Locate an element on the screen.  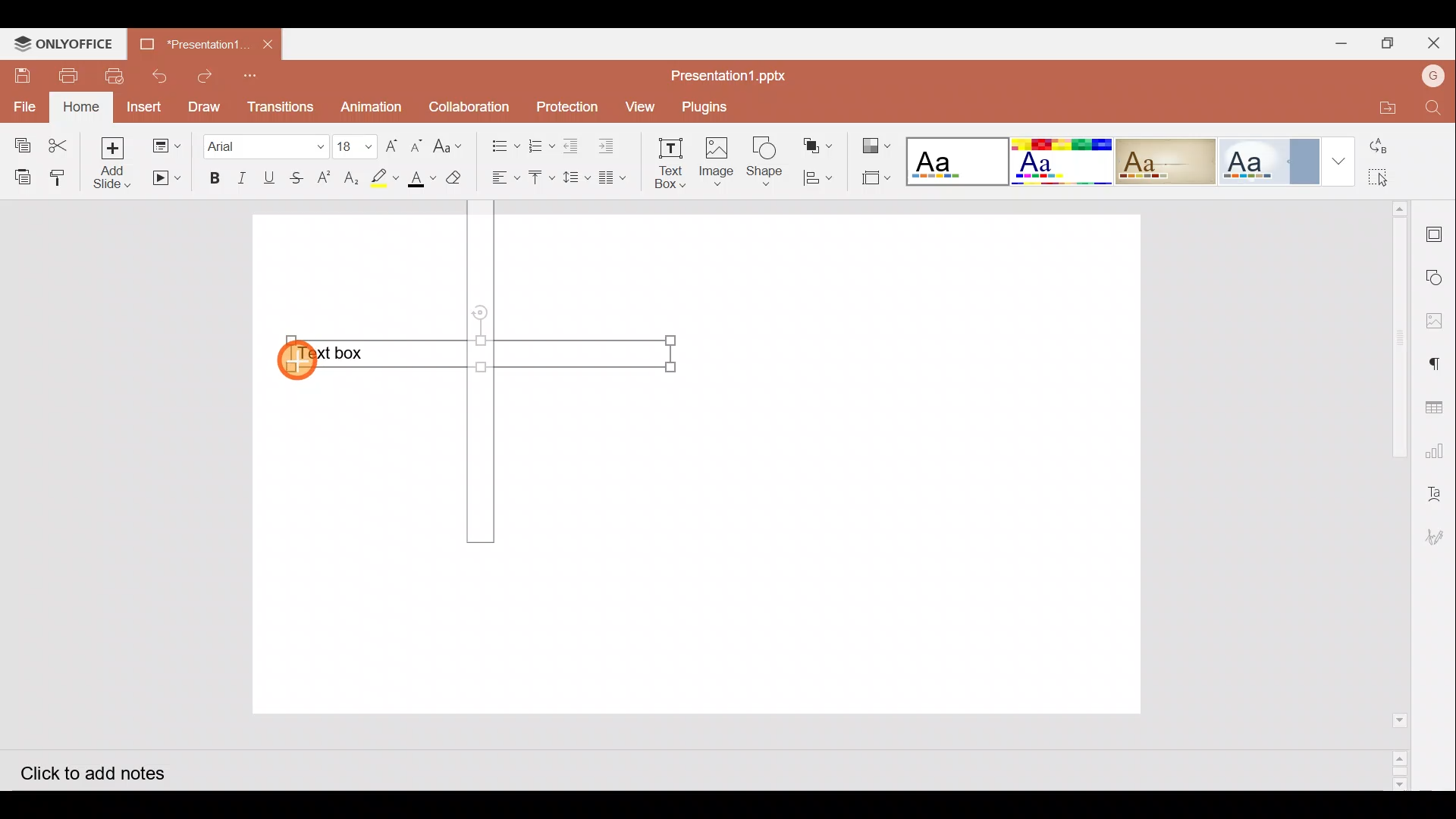
Italic is located at coordinates (241, 178).